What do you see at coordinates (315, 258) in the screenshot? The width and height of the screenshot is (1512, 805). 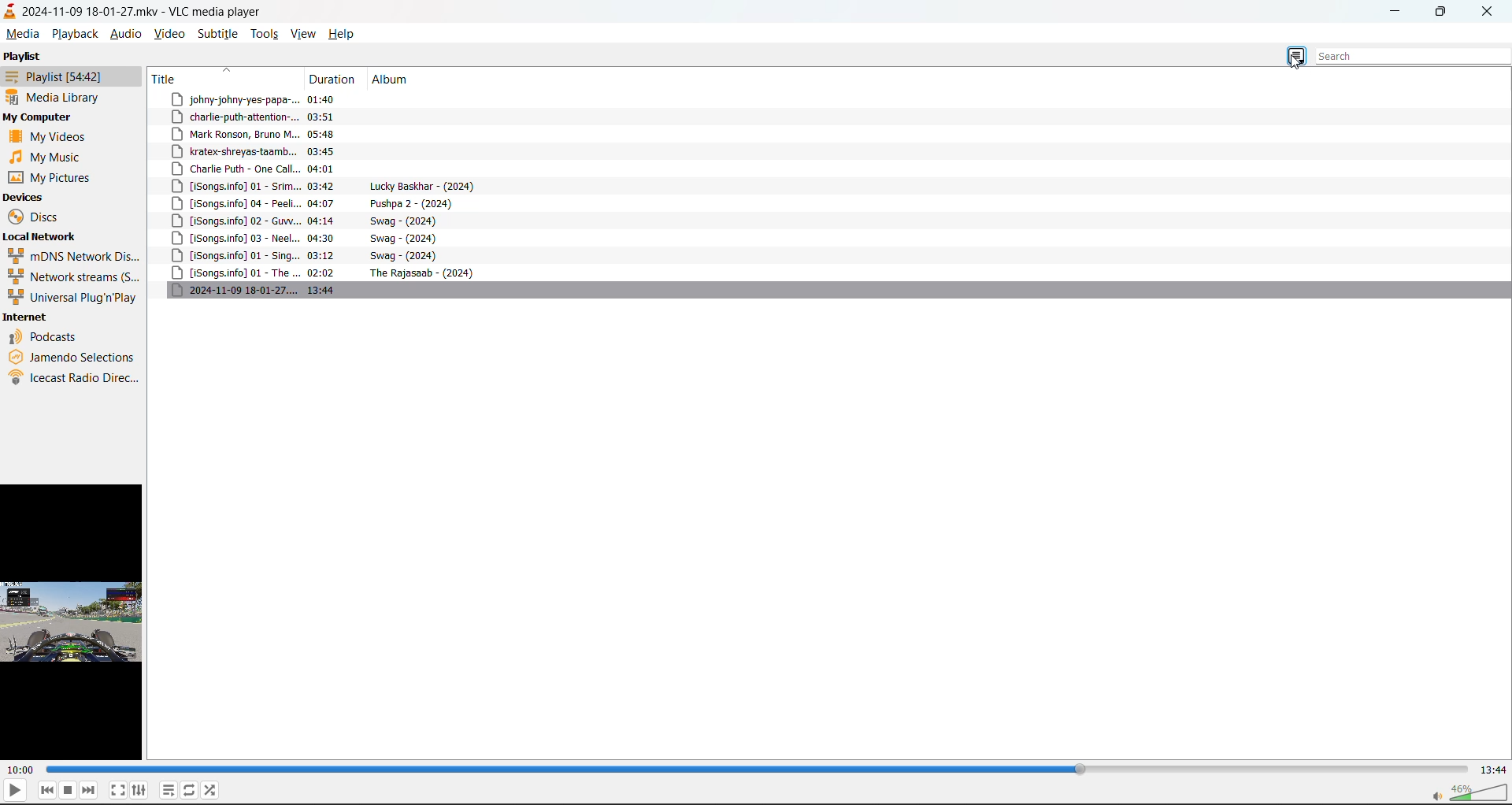 I see `track title, duration and album` at bounding box center [315, 258].